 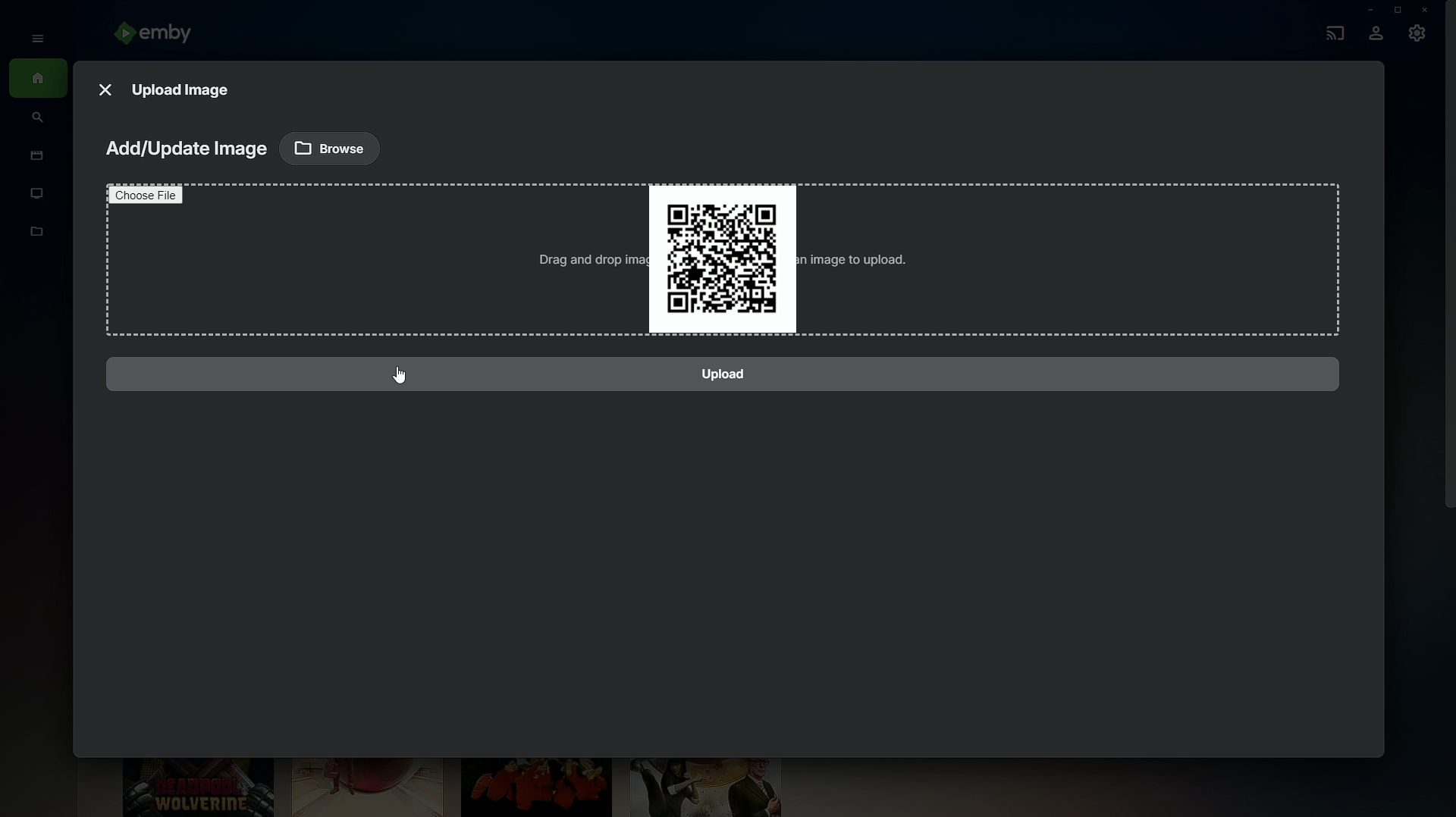 I want to click on Cast, so click(x=1332, y=31).